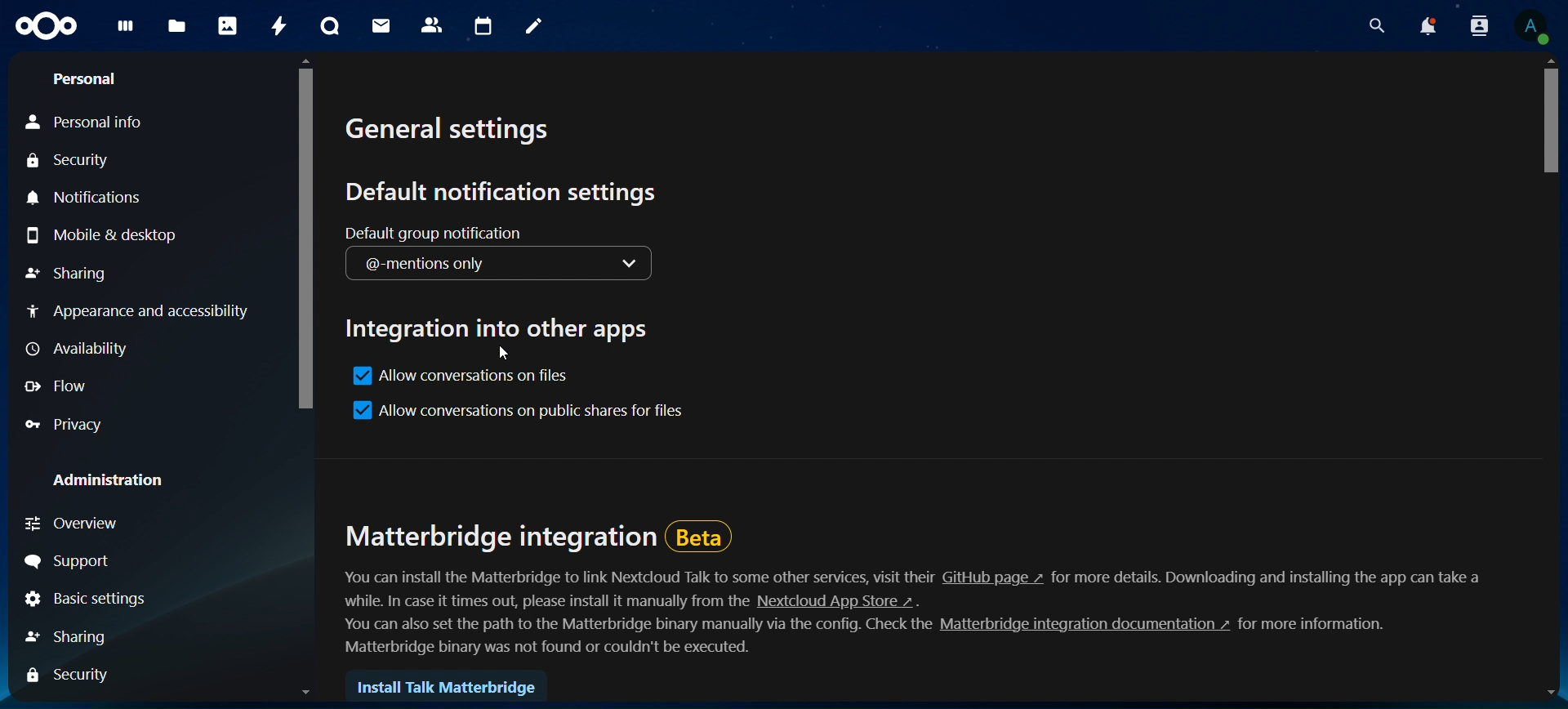 Image resolution: width=1568 pixels, height=709 pixels. Describe the element at coordinates (69, 161) in the screenshot. I see `security` at that location.